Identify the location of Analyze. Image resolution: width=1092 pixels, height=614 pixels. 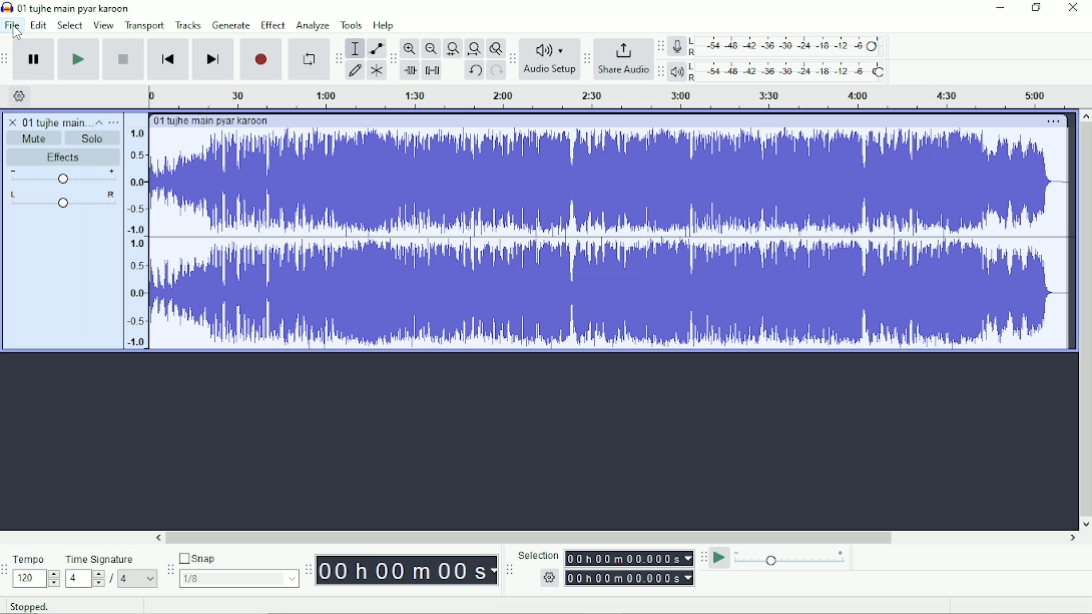
(313, 25).